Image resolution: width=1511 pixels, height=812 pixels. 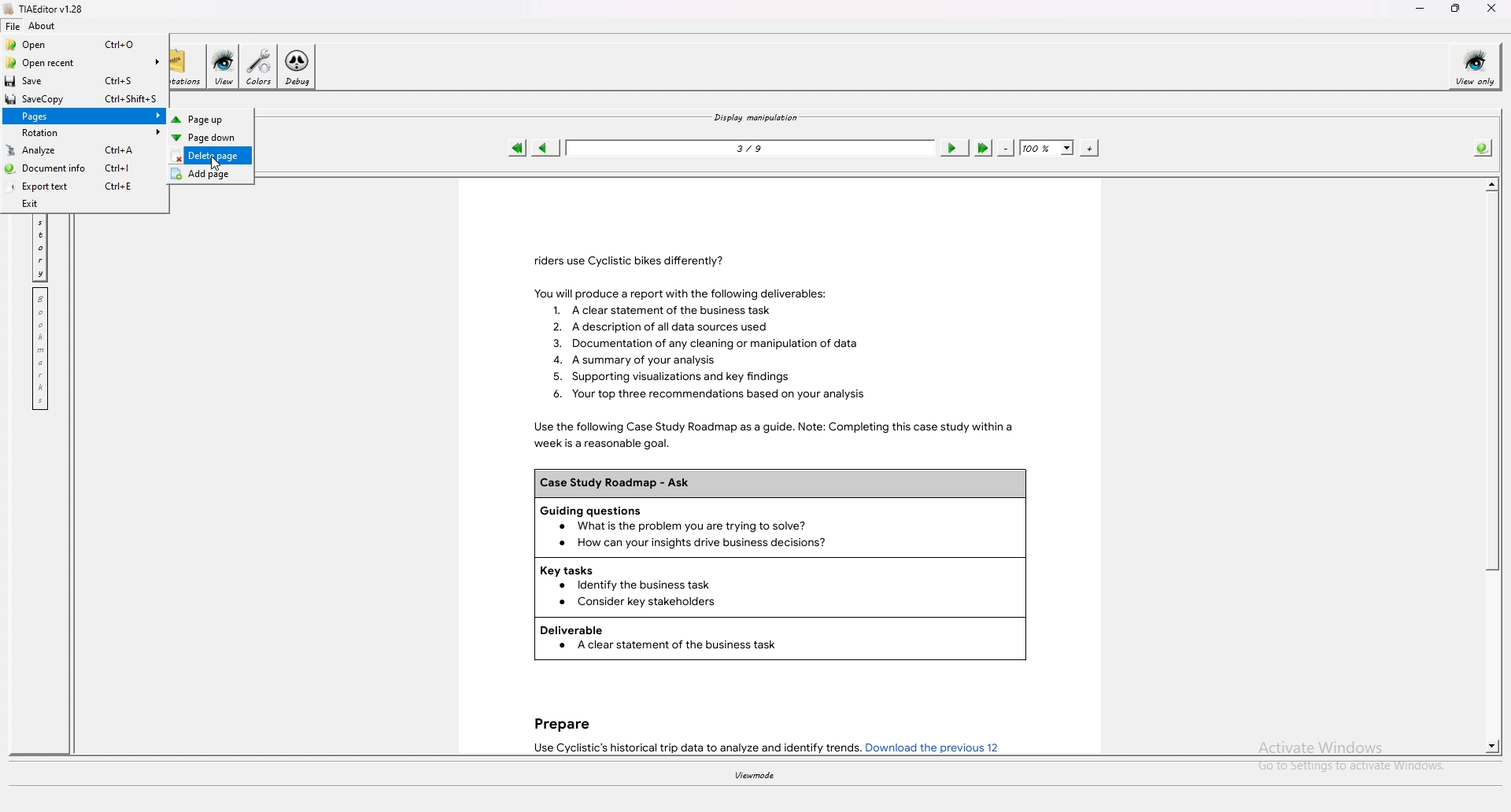 What do you see at coordinates (1005, 147) in the screenshot?
I see `zoom out` at bounding box center [1005, 147].